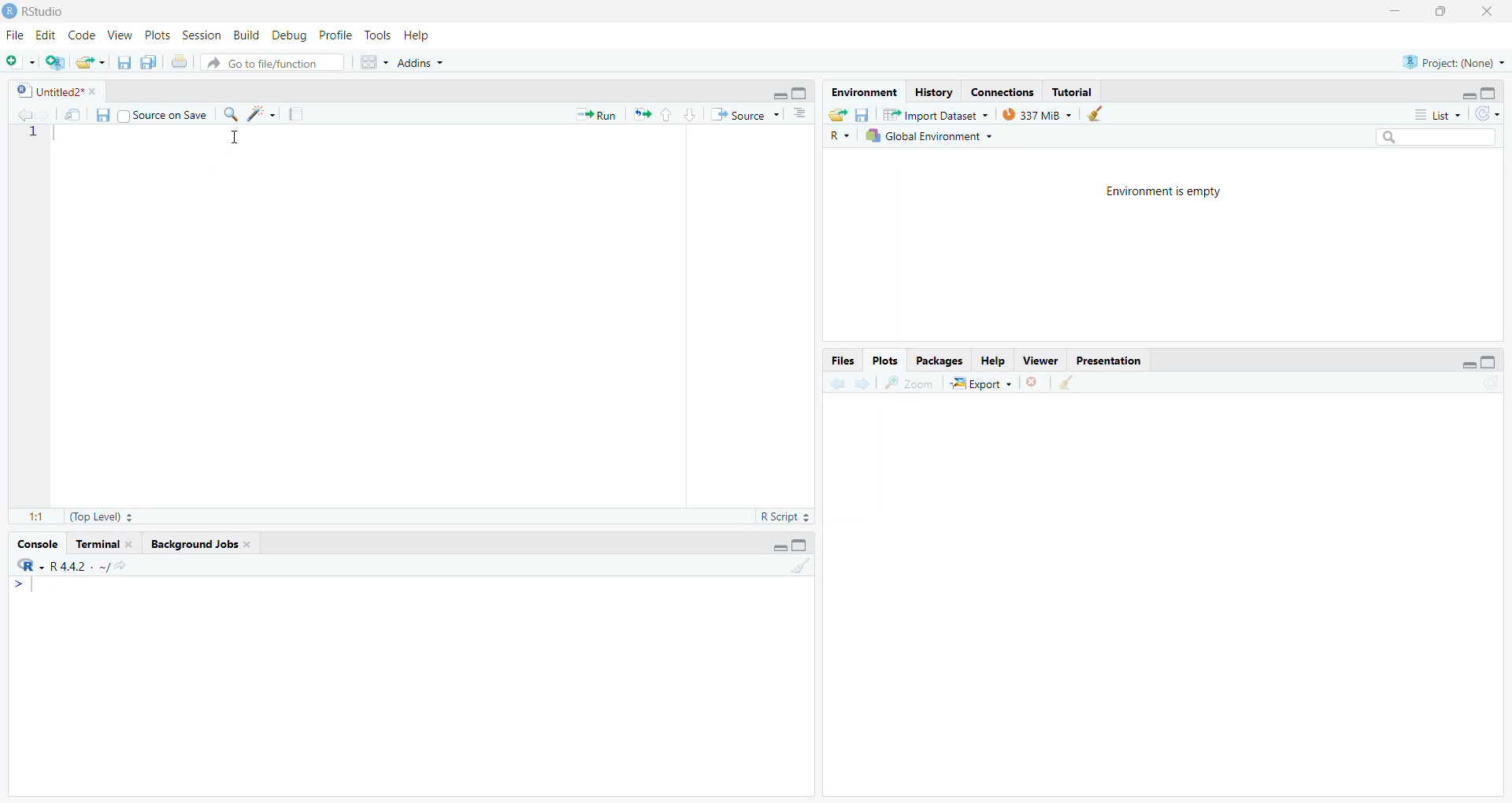 This screenshot has height=803, width=1512. What do you see at coordinates (334, 35) in the screenshot?
I see ` Profile` at bounding box center [334, 35].